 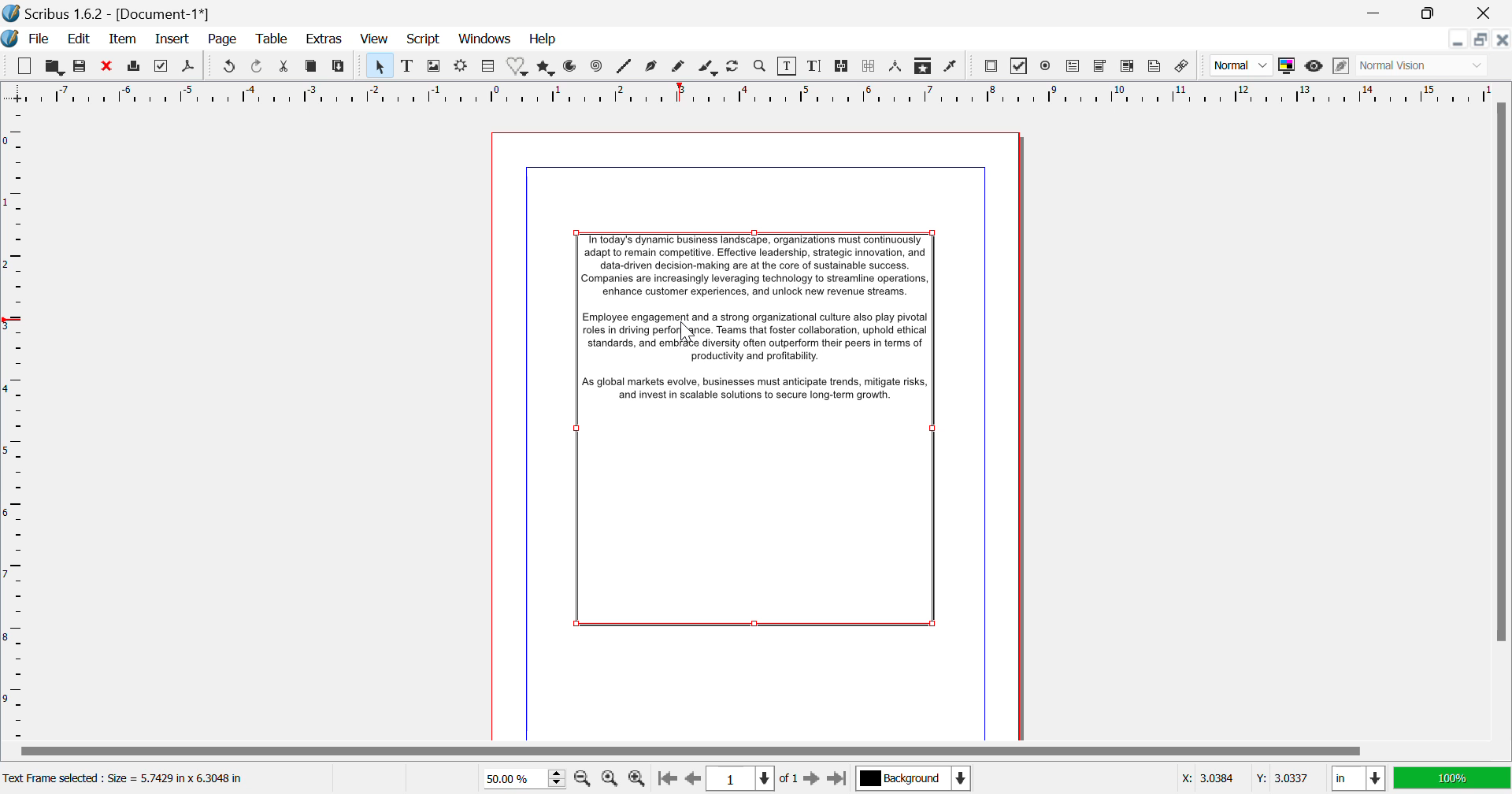 I want to click on Table, so click(x=488, y=66).